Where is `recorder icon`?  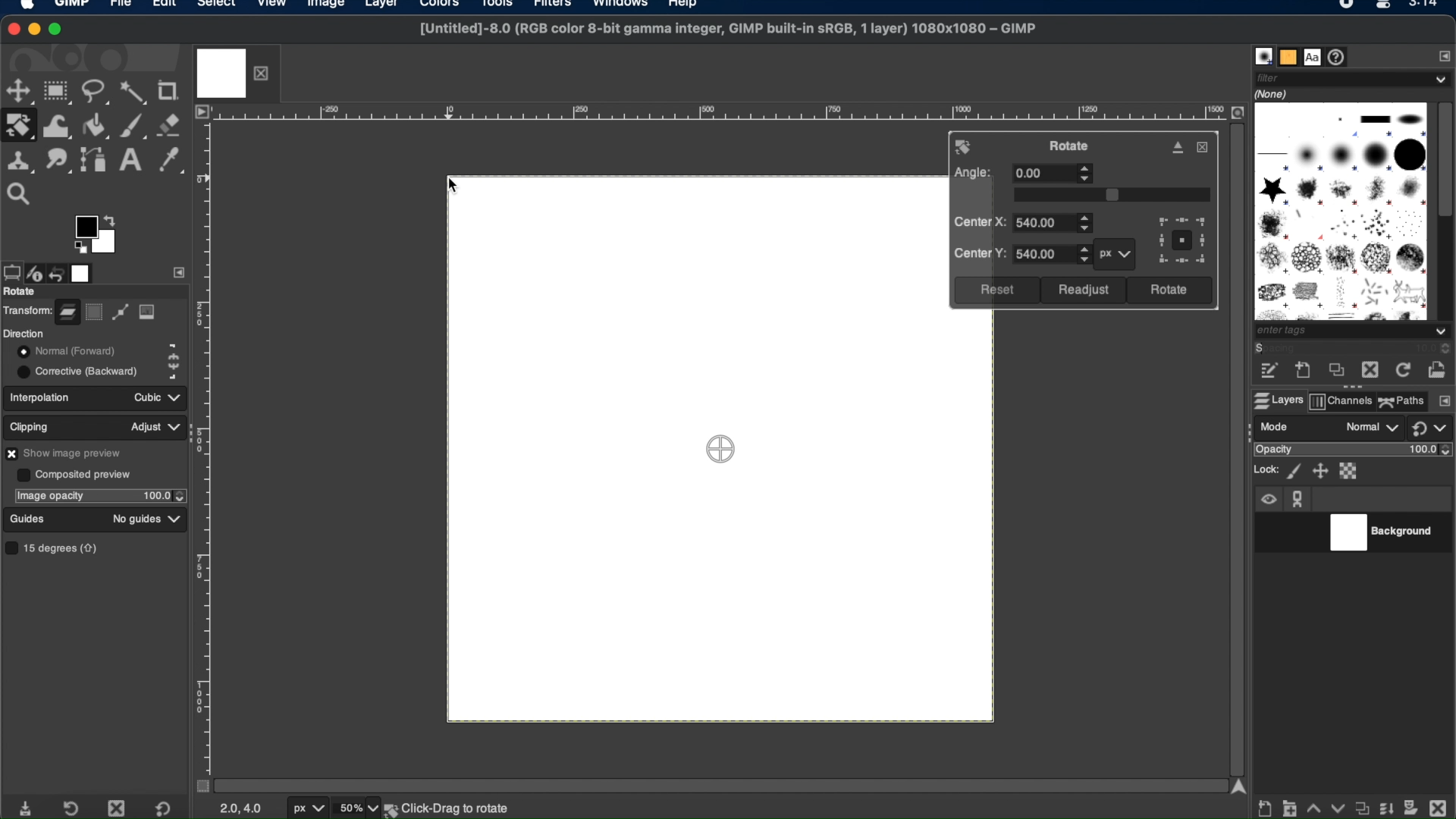 recorder icon is located at coordinates (1345, 6).